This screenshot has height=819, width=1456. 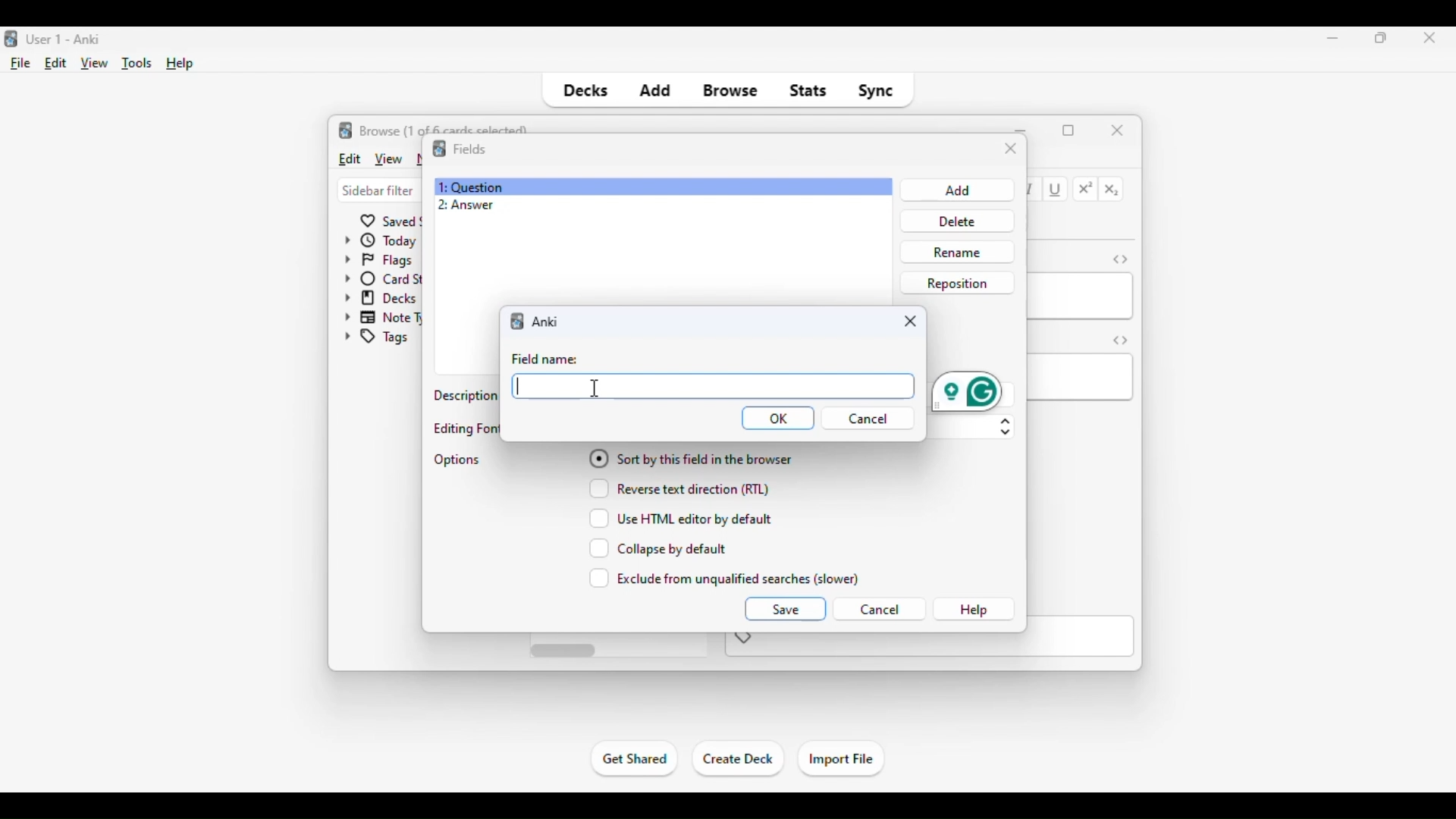 I want to click on cursor, so click(x=593, y=390).